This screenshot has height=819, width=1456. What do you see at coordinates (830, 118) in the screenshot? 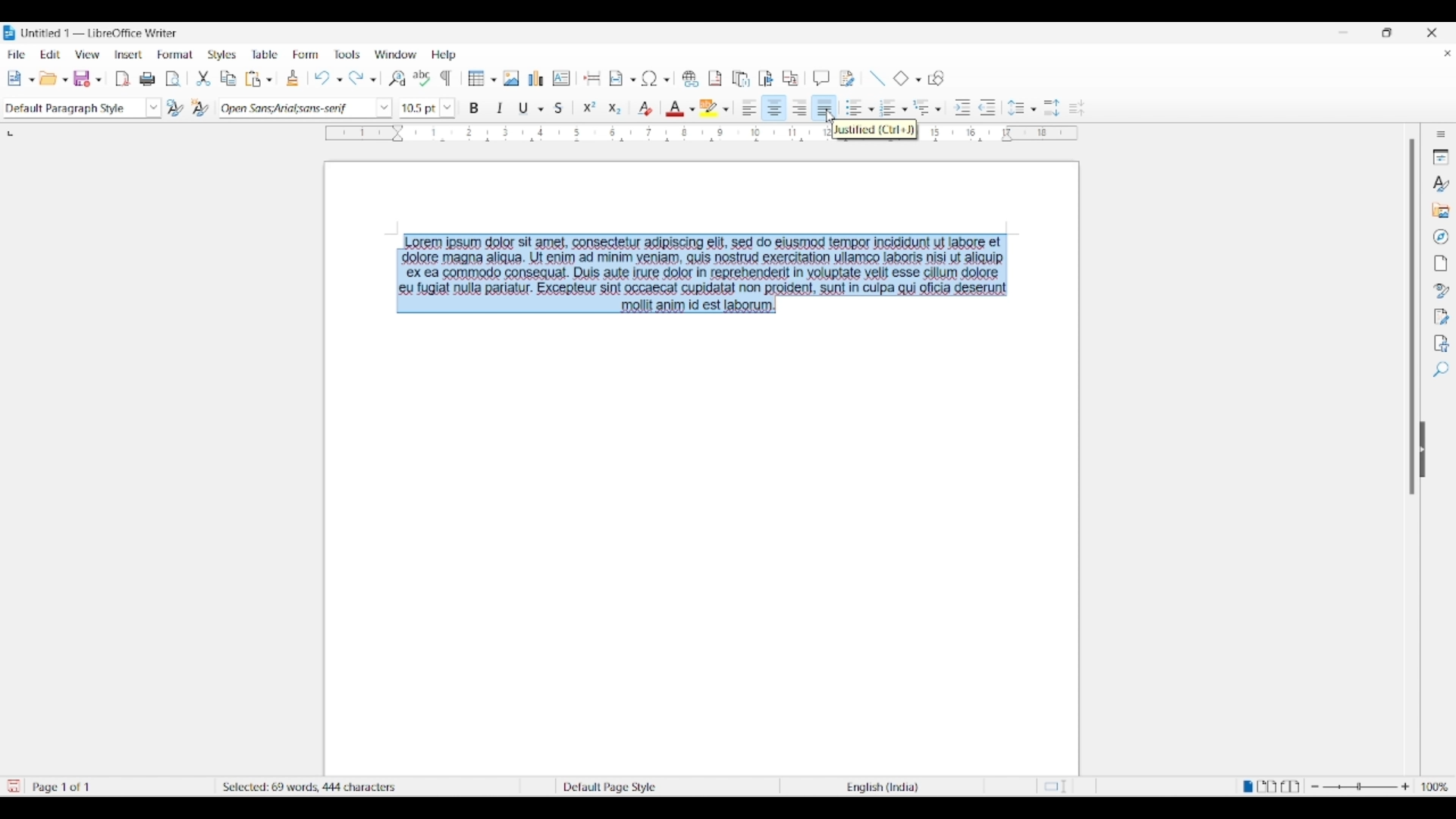
I see `cursor` at bounding box center [830, 118].